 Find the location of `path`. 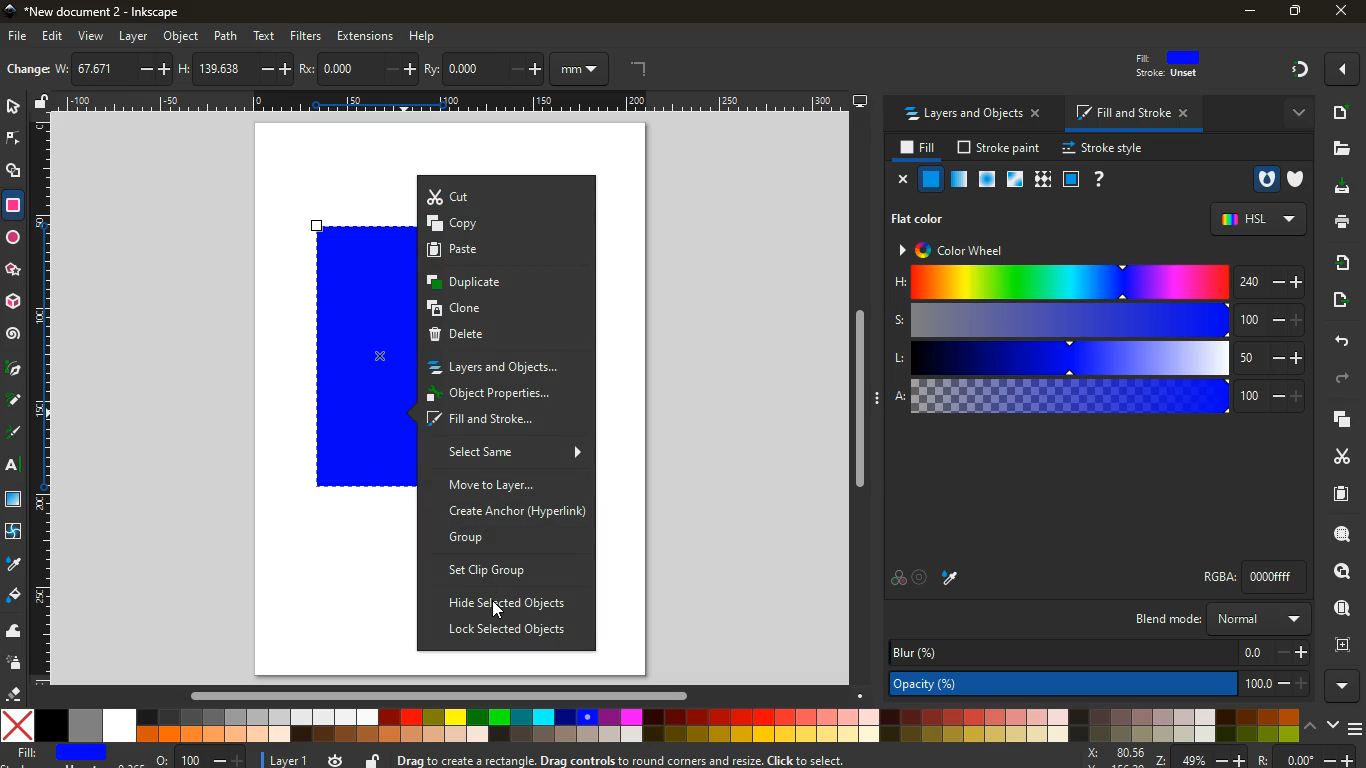

path is located at coordinates (225, 36).